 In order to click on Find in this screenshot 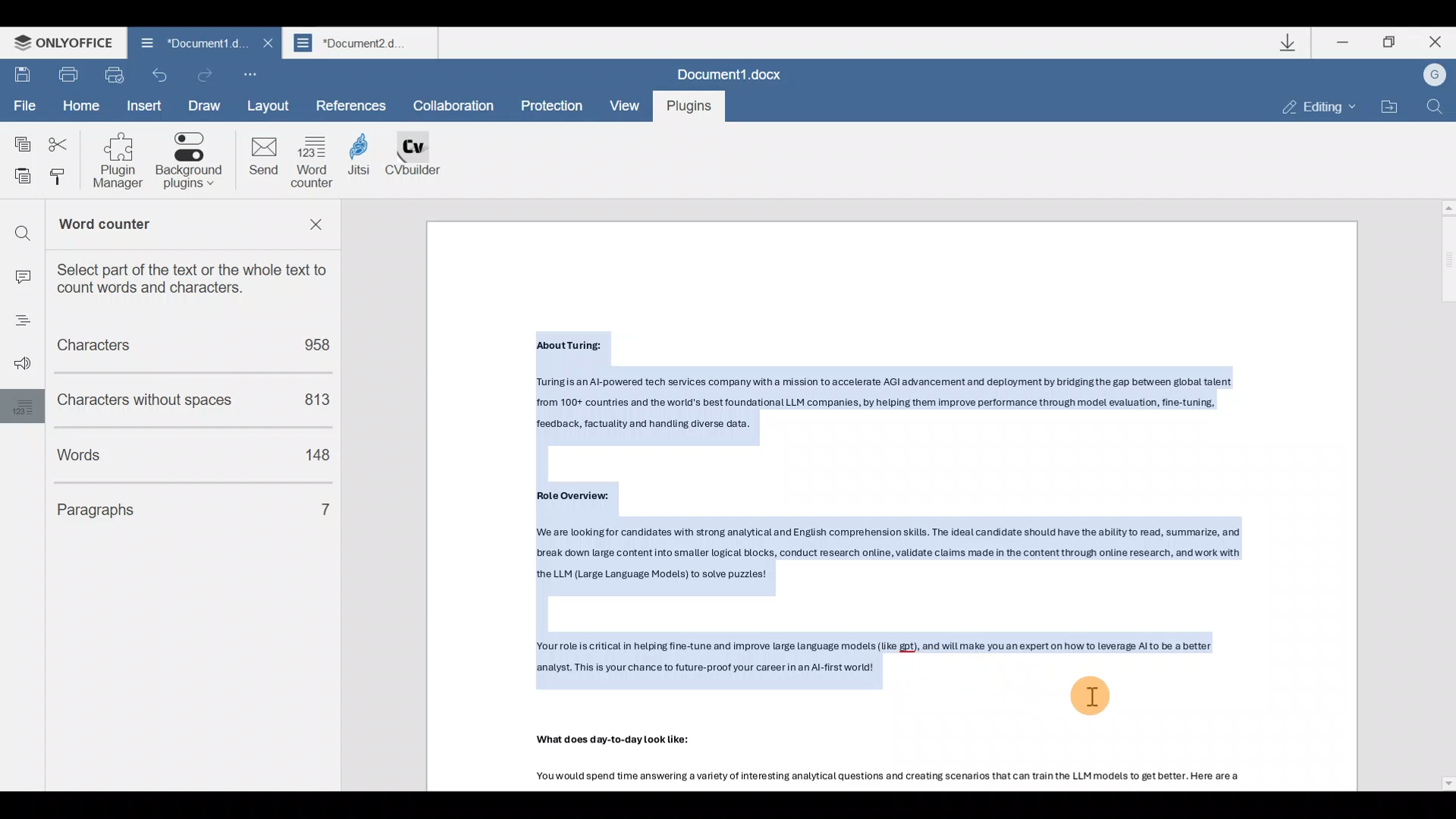, I will do `click(1438, 108)`.